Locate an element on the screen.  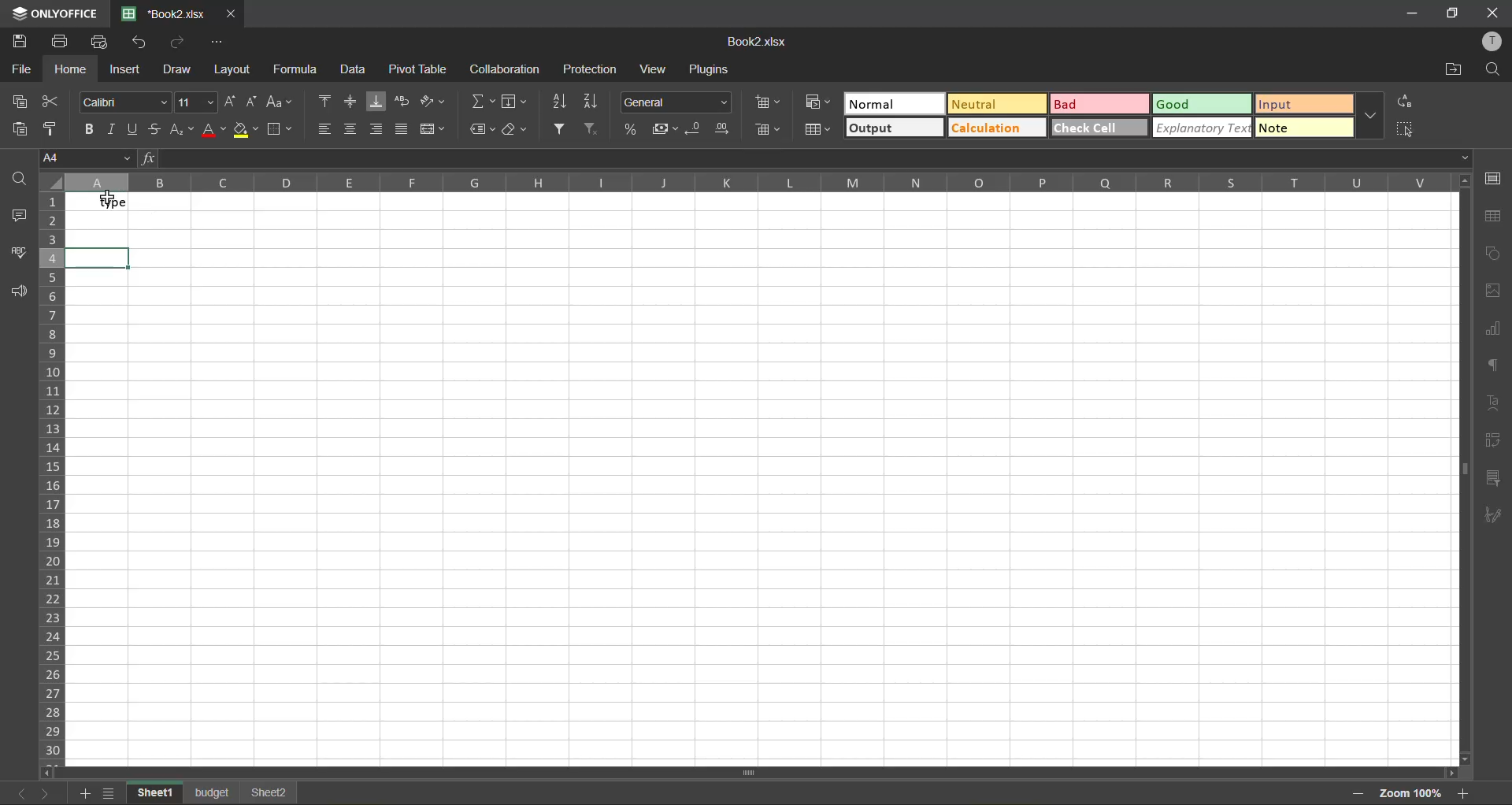
borders is located at coordinates (280, 132).